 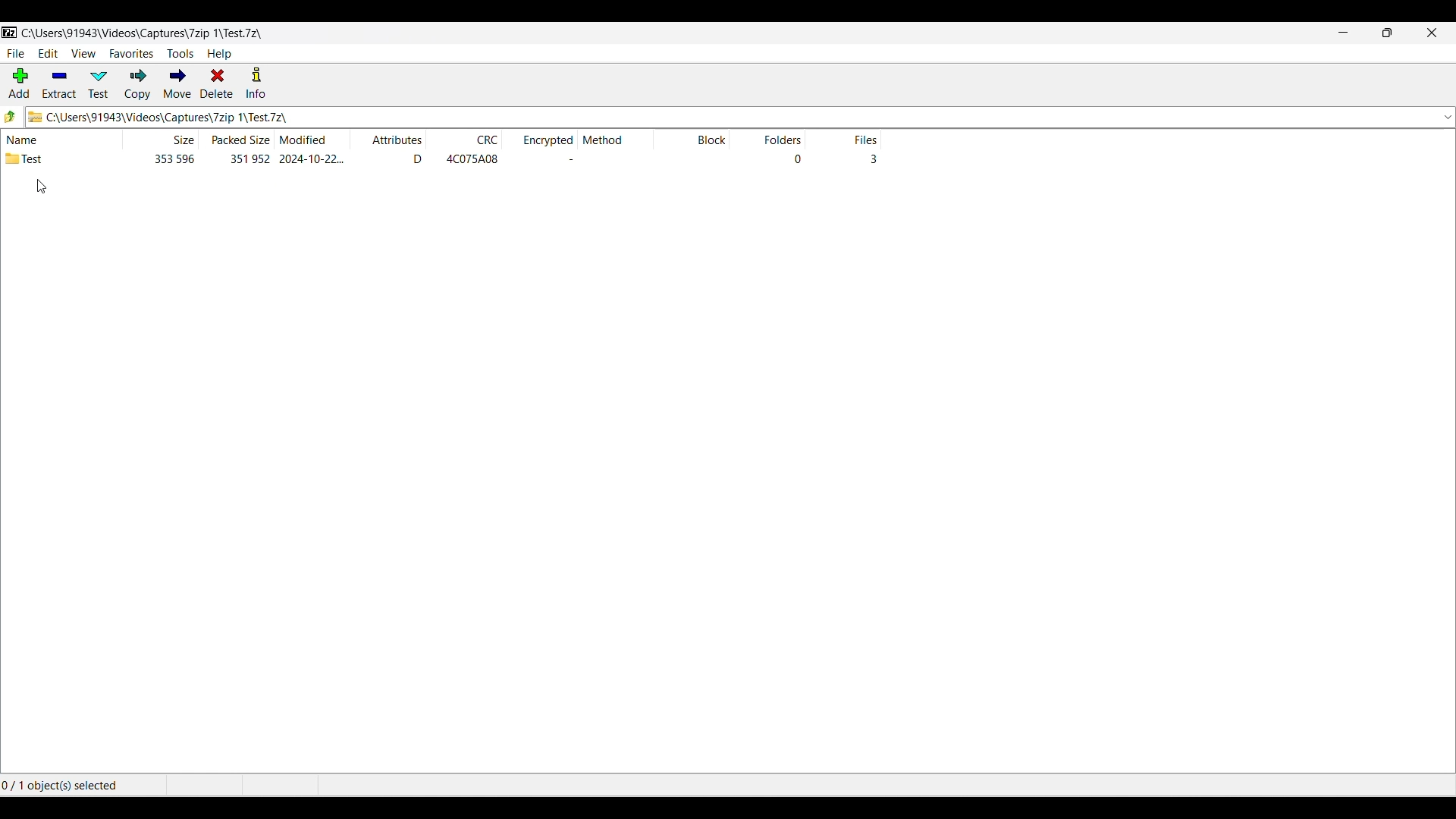 What do you see at coordinates (1448, 117) in the screenshot?
I see `Location options` at bounding box center [1448, 117].